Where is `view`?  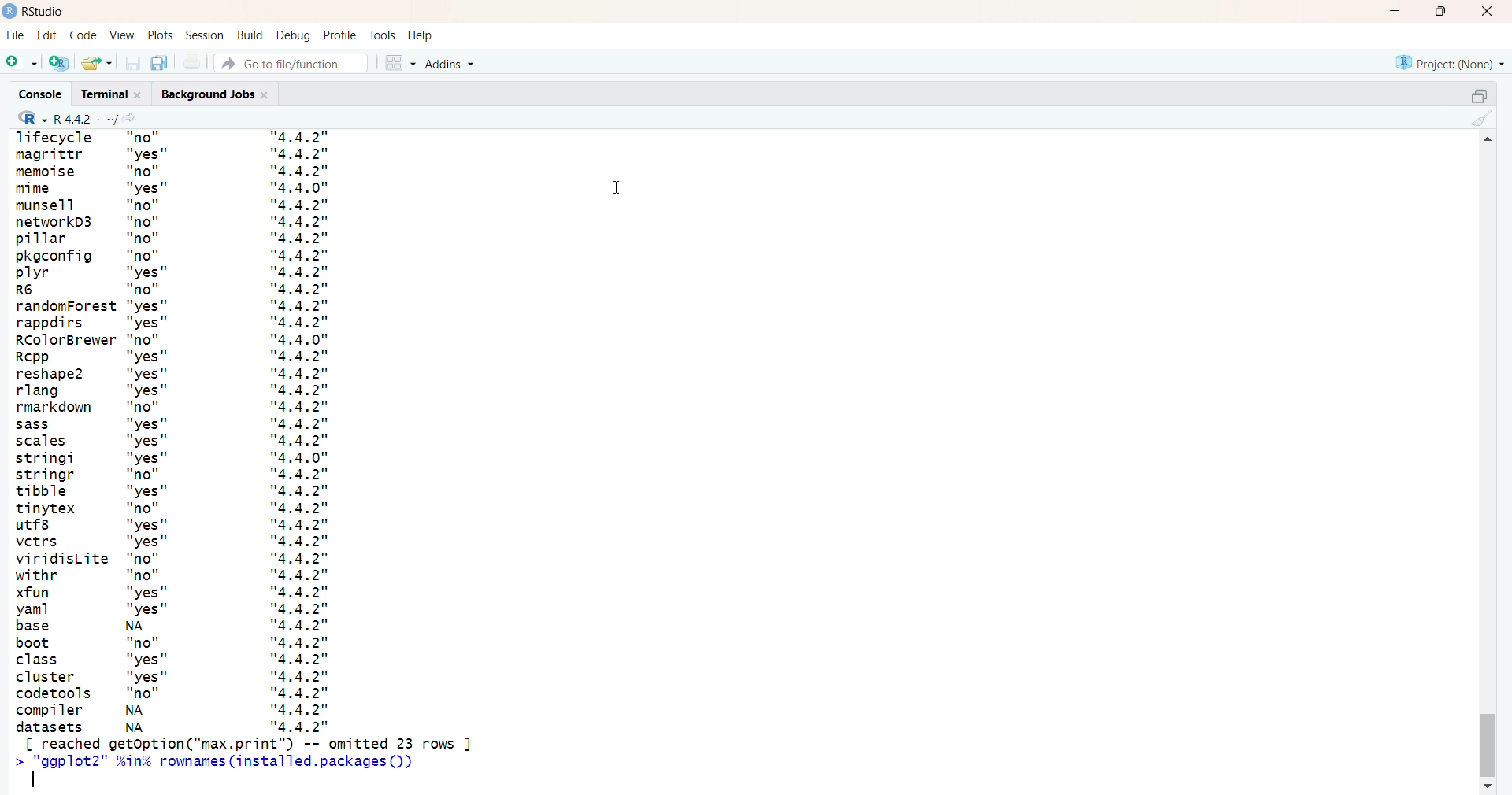
view is located at coordinates (121, 34).